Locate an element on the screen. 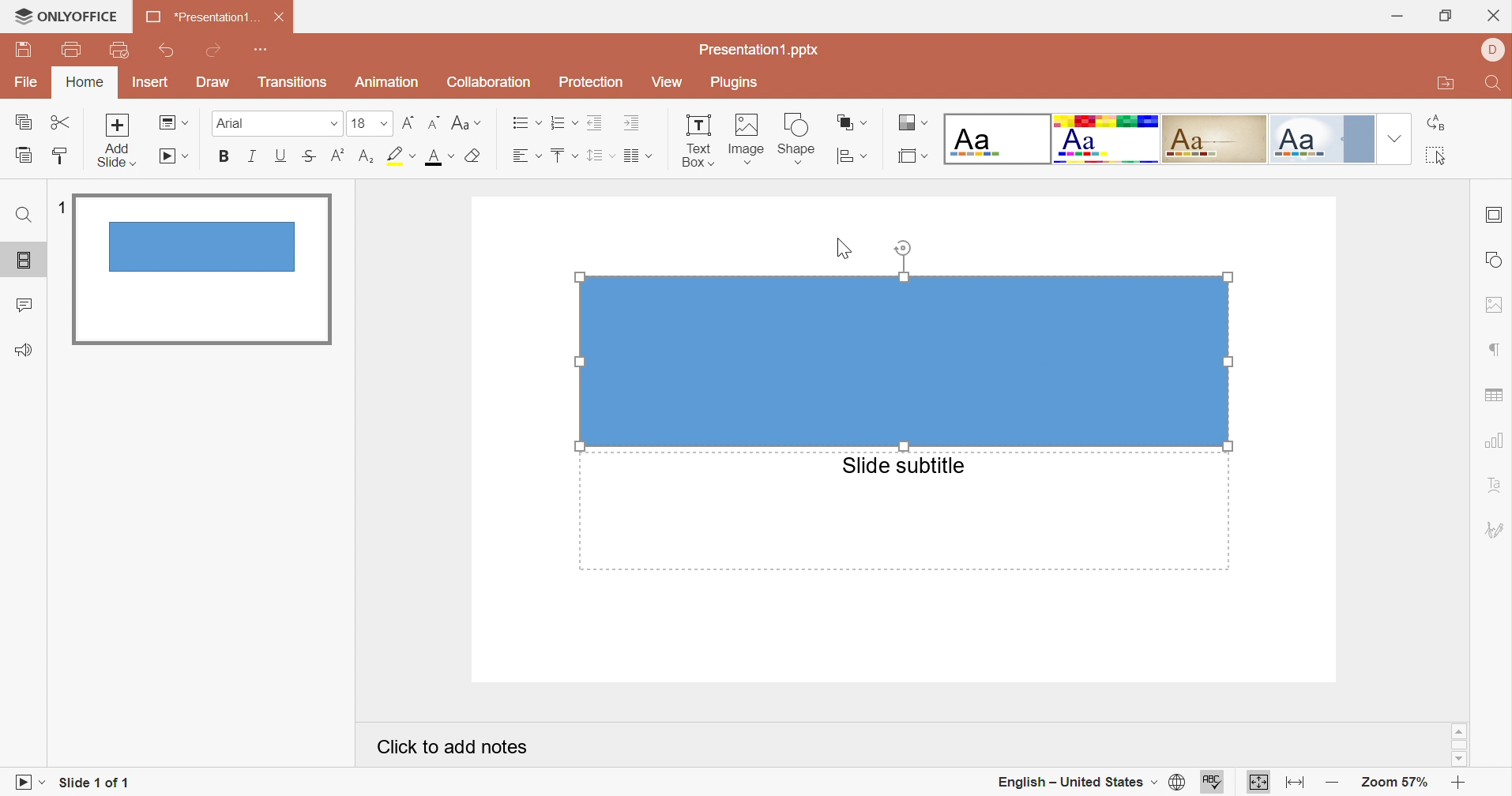  Align shape is located at coordinates (852, 160).